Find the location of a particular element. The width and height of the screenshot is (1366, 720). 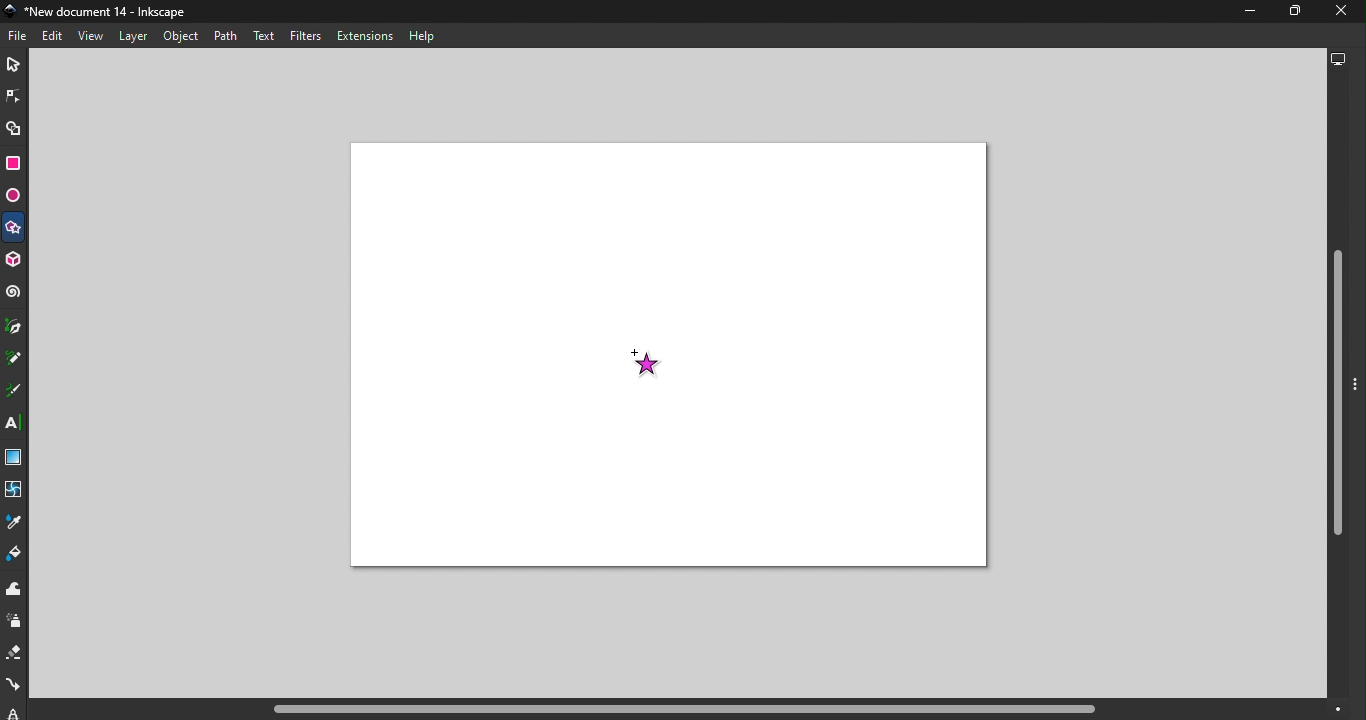

Display options is located at coordinates (1341, 60).